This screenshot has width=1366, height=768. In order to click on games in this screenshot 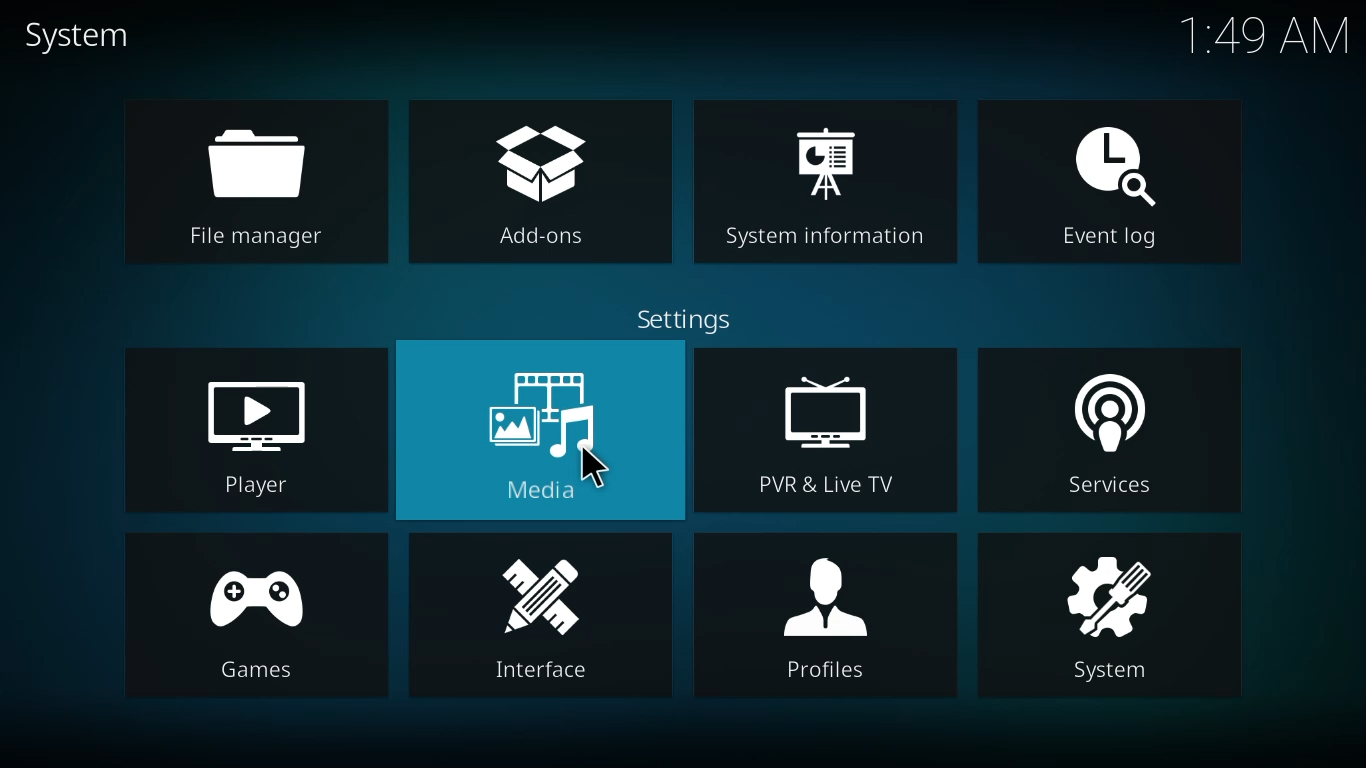, I will do `click(251, 622)`.